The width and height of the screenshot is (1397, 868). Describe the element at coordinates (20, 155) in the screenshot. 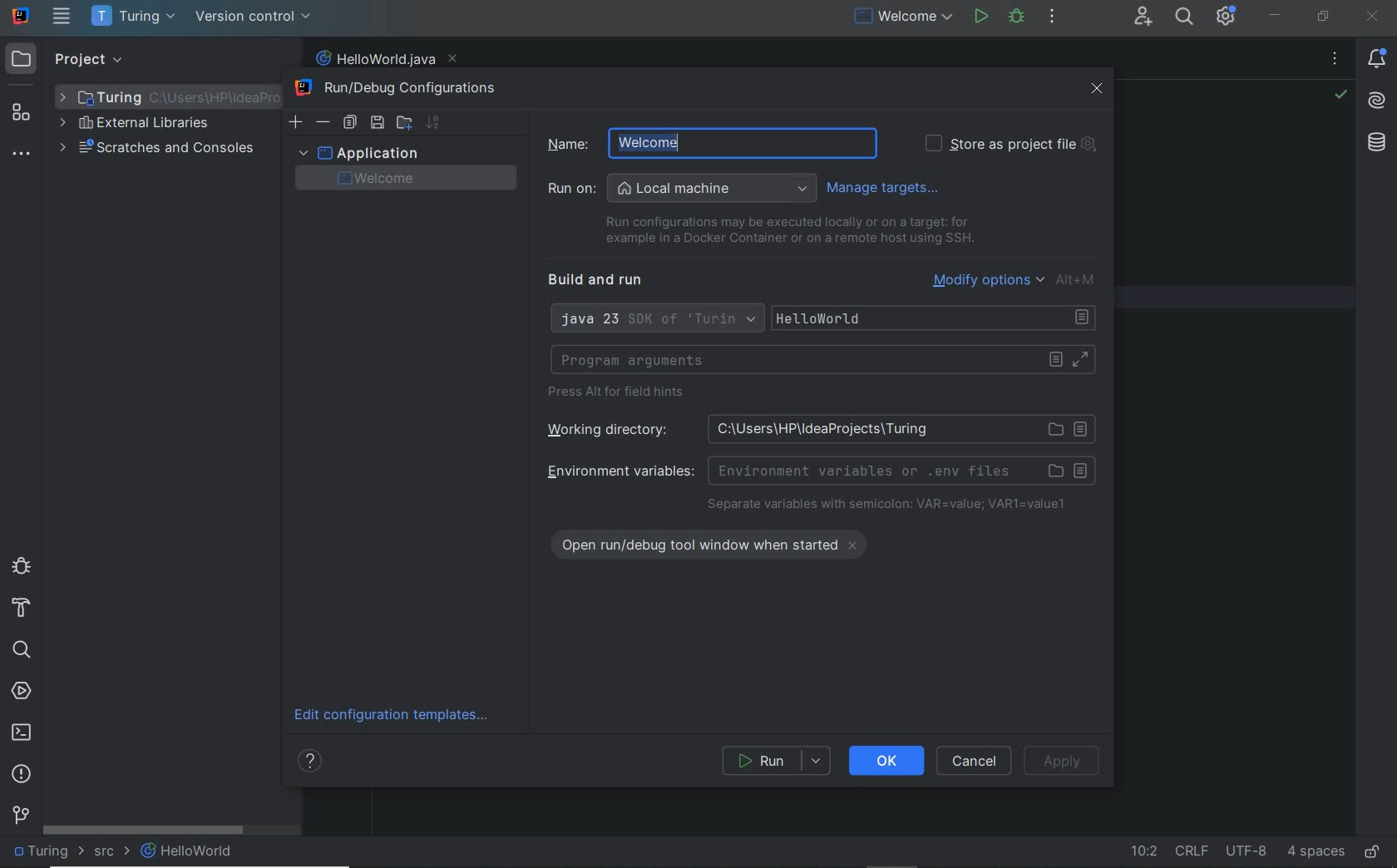

I see `more tool windows` at that location.